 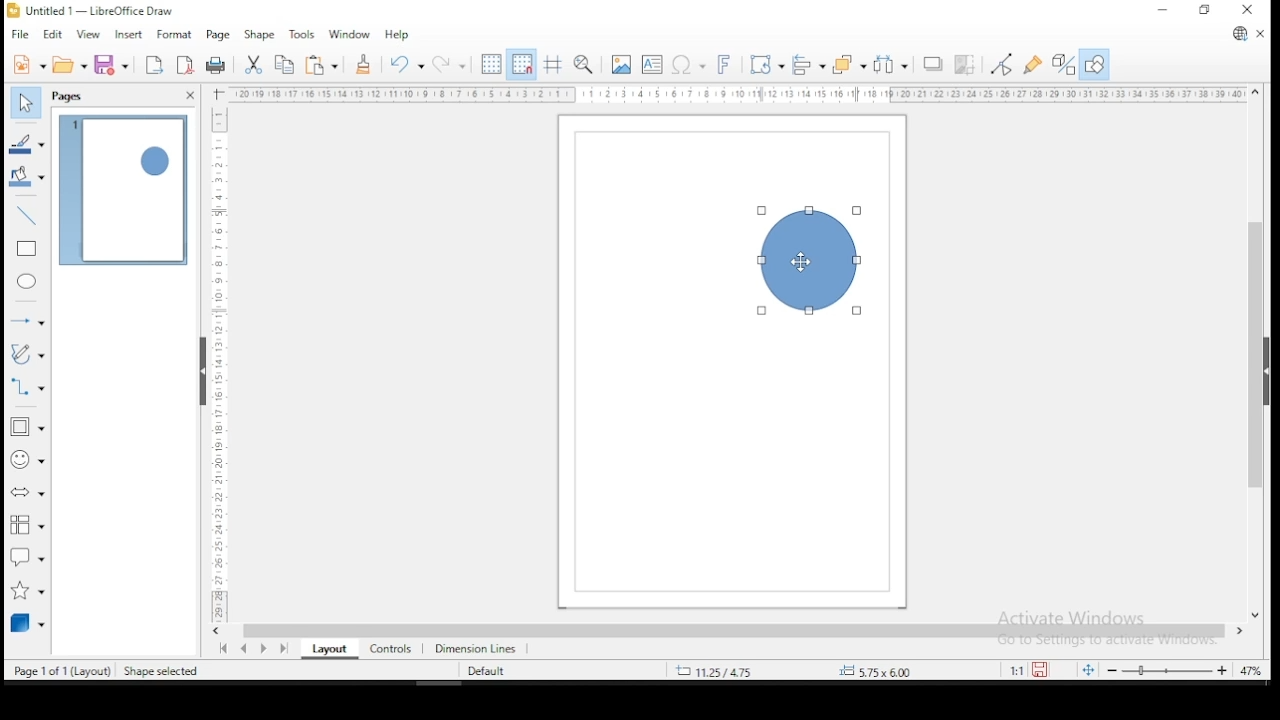 What do you see at coordinates (1015, 670) in the screenshot?
I see `1:1` at bounding box center [1015, 670].